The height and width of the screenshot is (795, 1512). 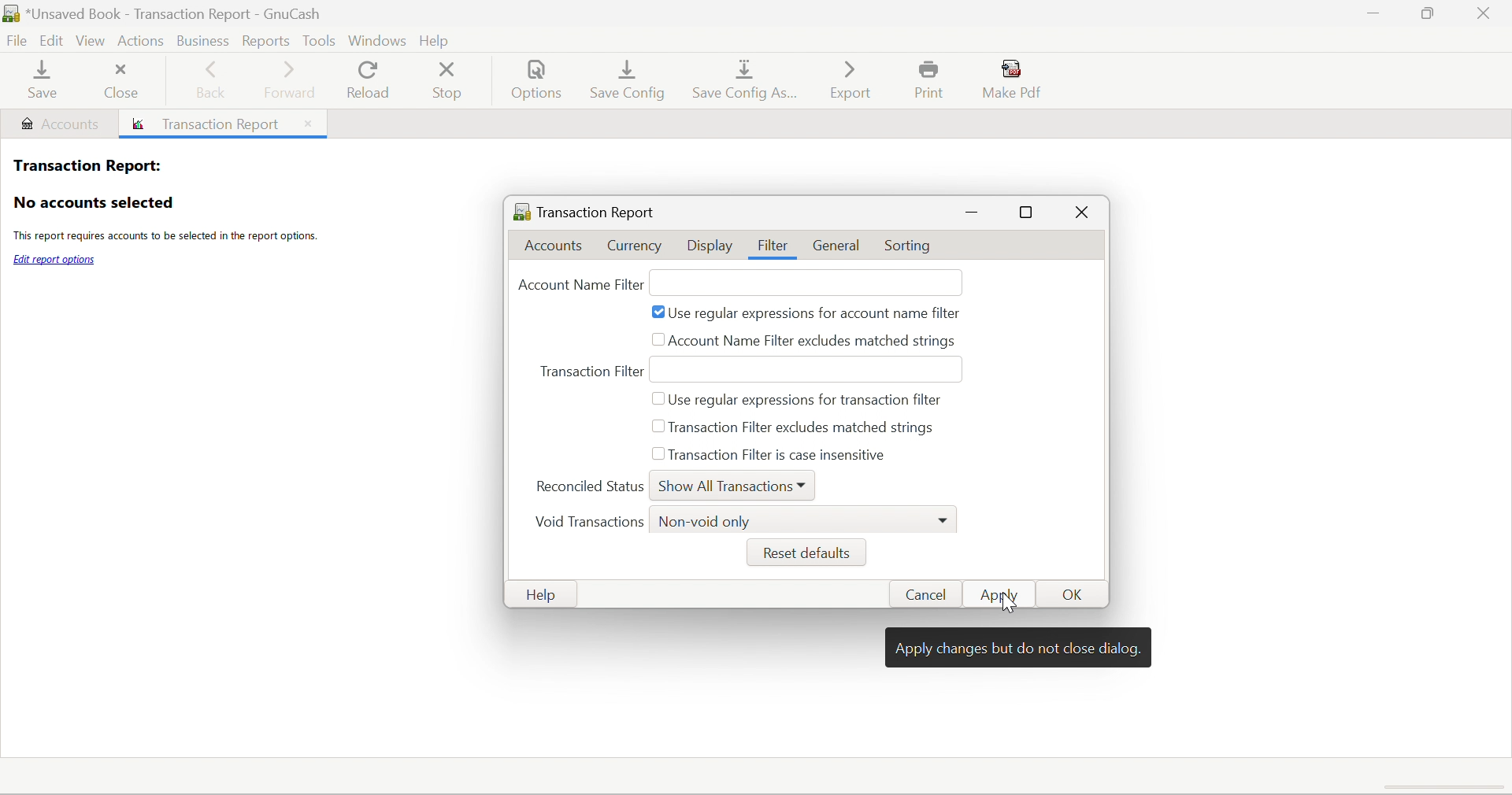 What do you see at coordinates (141, 39) in the screenshot?
I see `Actions` at bounding box center [141, 39].